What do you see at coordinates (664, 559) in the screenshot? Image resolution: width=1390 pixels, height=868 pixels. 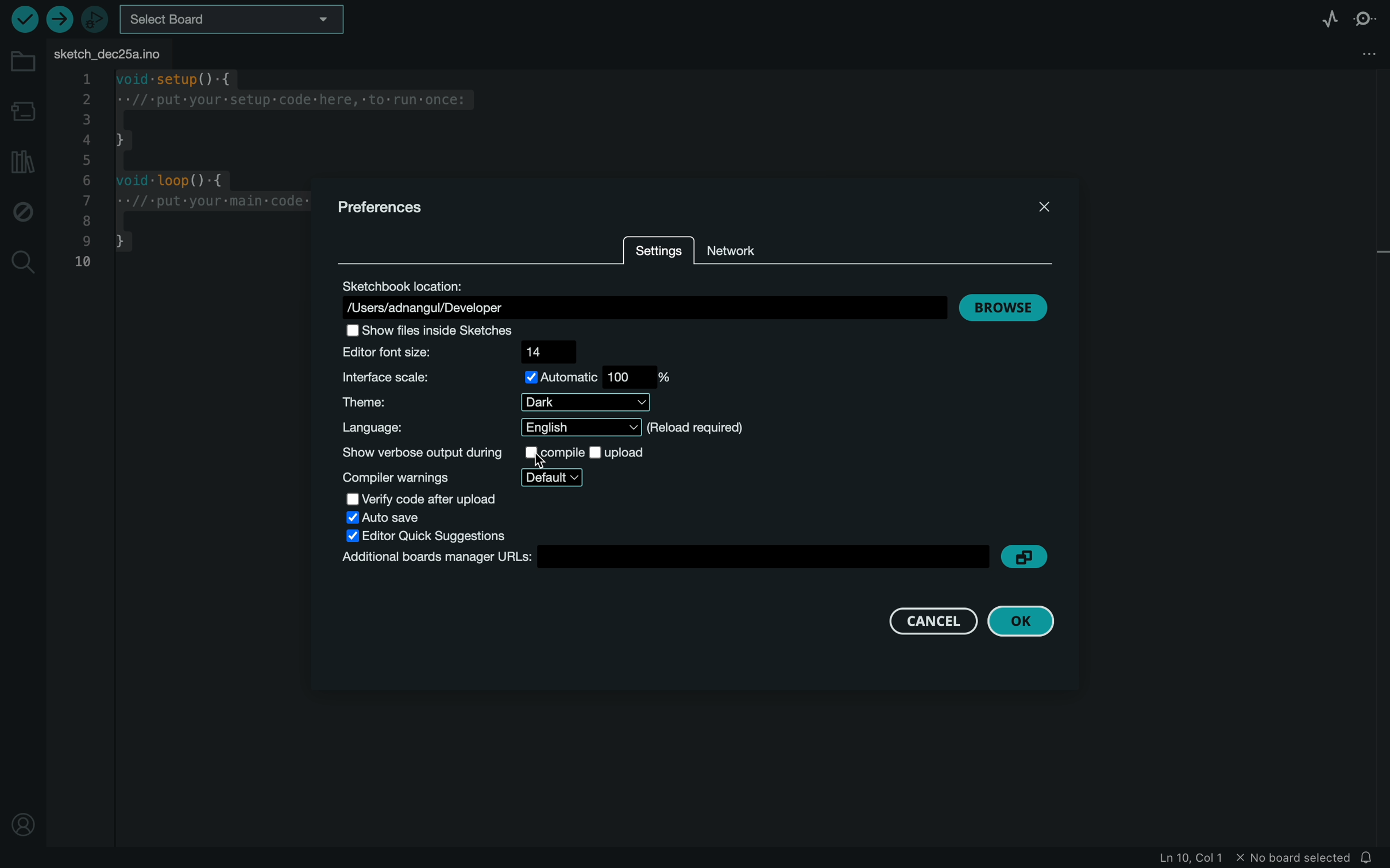 I see `board  manager` at bounding box center [664, 559].